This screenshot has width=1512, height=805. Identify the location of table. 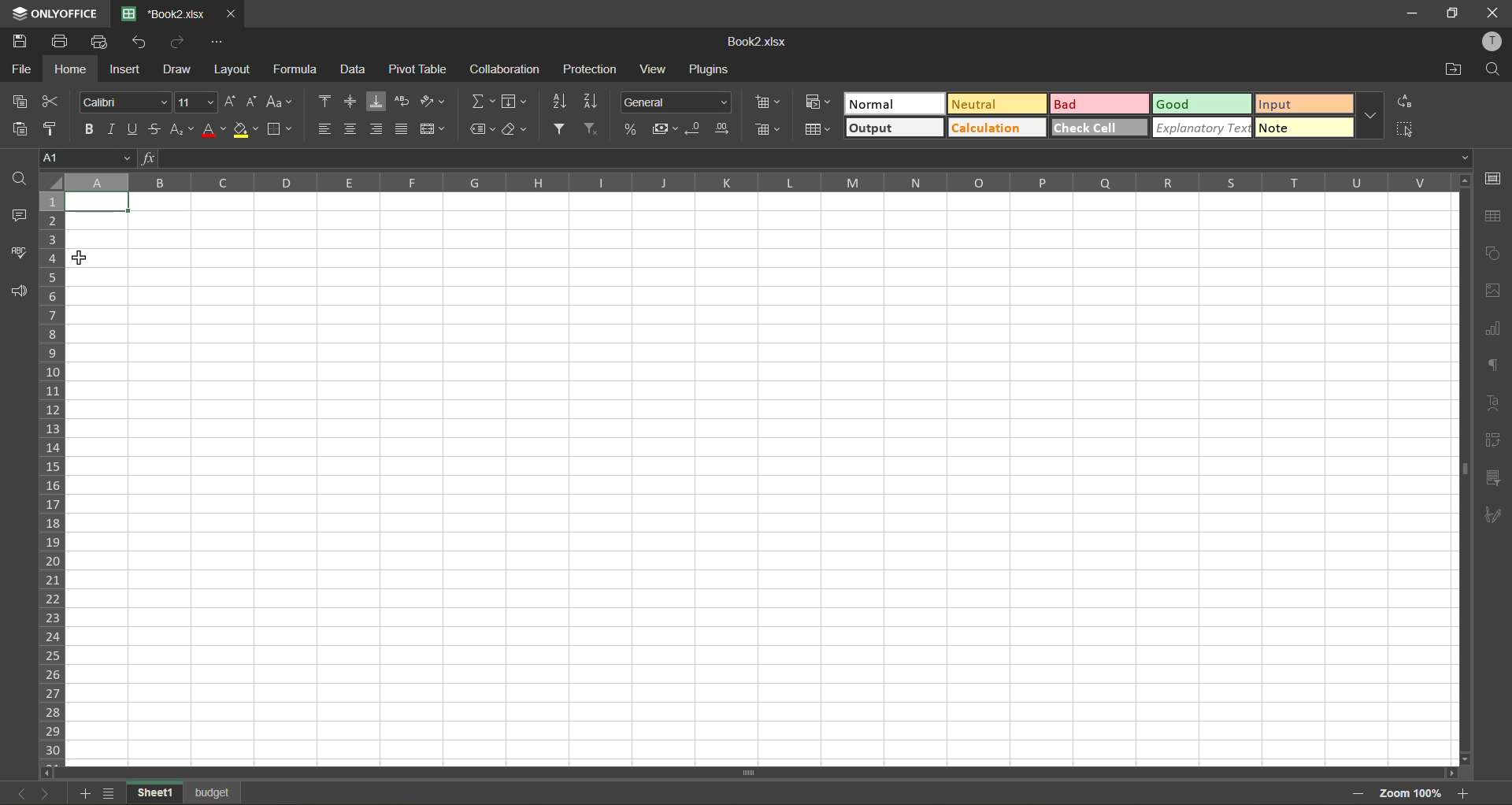
(1497, 217).